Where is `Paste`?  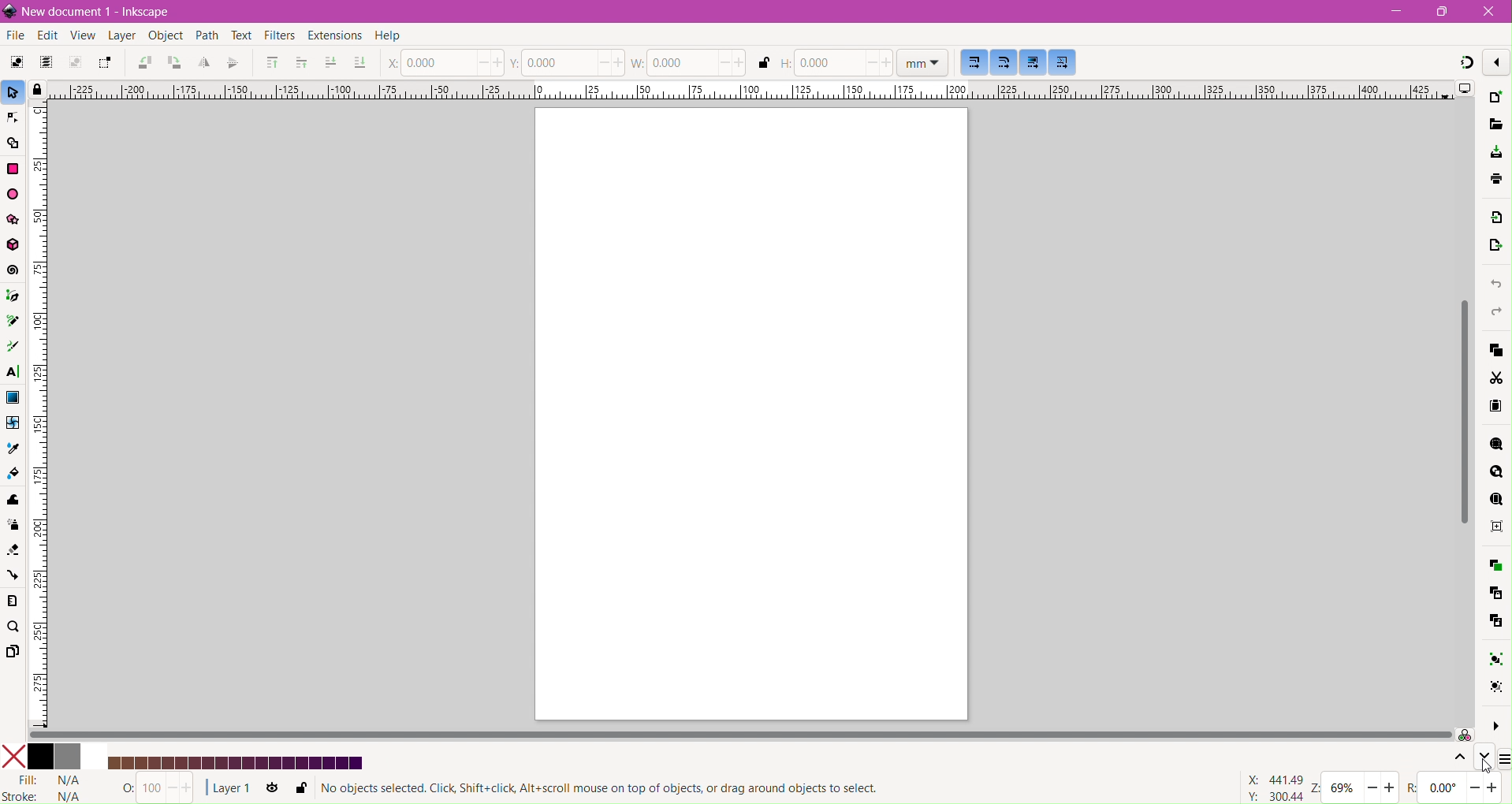
Paste is located at coordinates (1496, 408).